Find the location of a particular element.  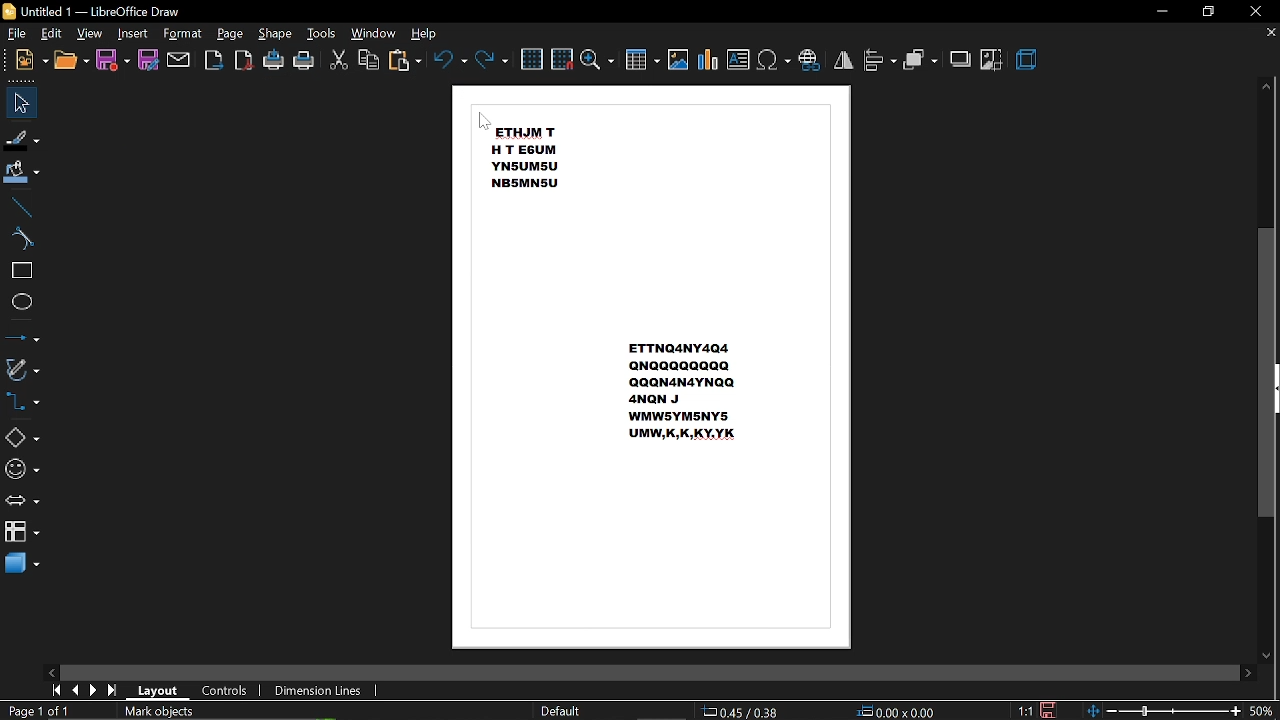

Default is located at coordinates (560, 711).